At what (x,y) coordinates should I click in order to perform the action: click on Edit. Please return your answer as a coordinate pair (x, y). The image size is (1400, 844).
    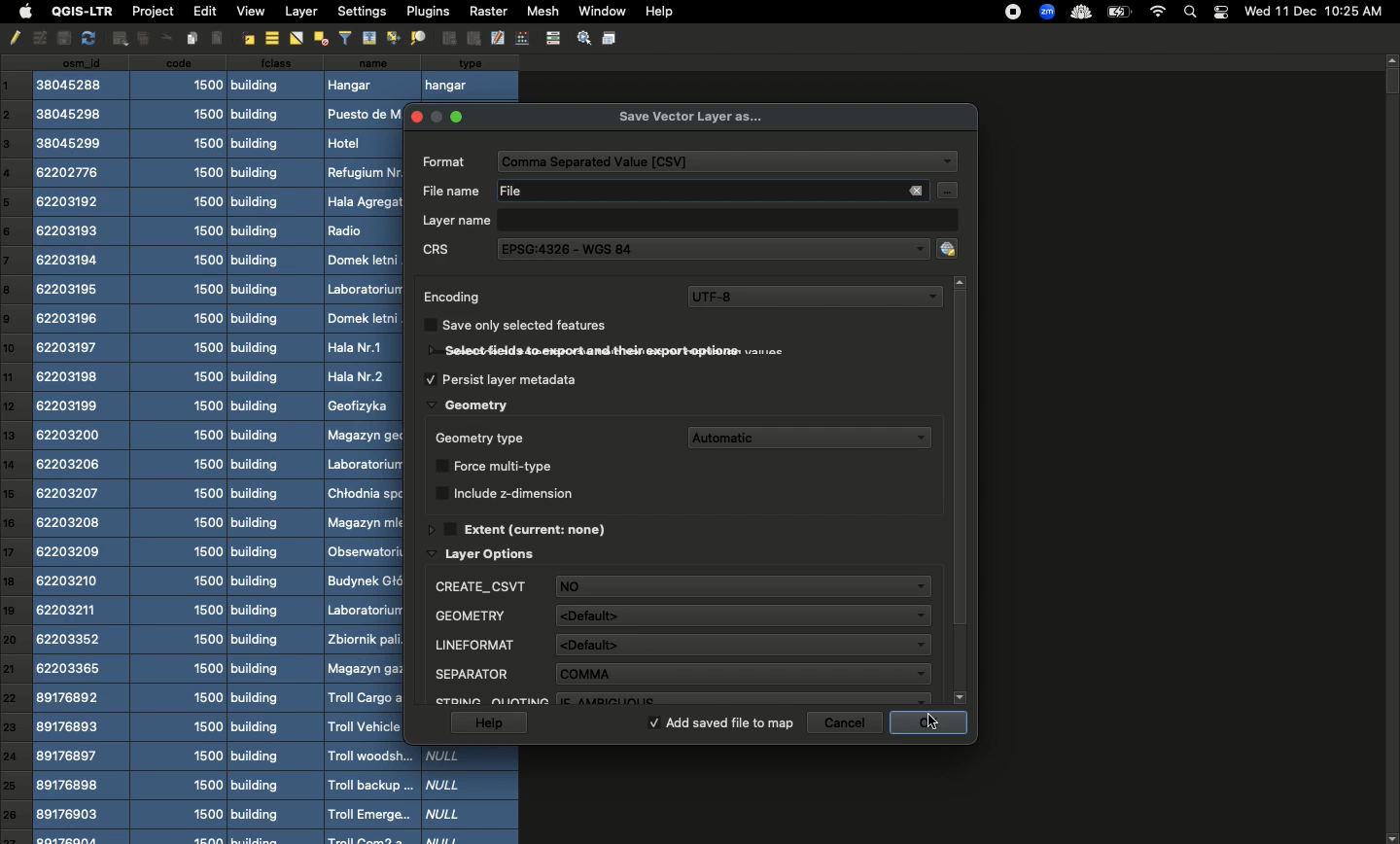
    Looking at the image, I should click on (202, 11).